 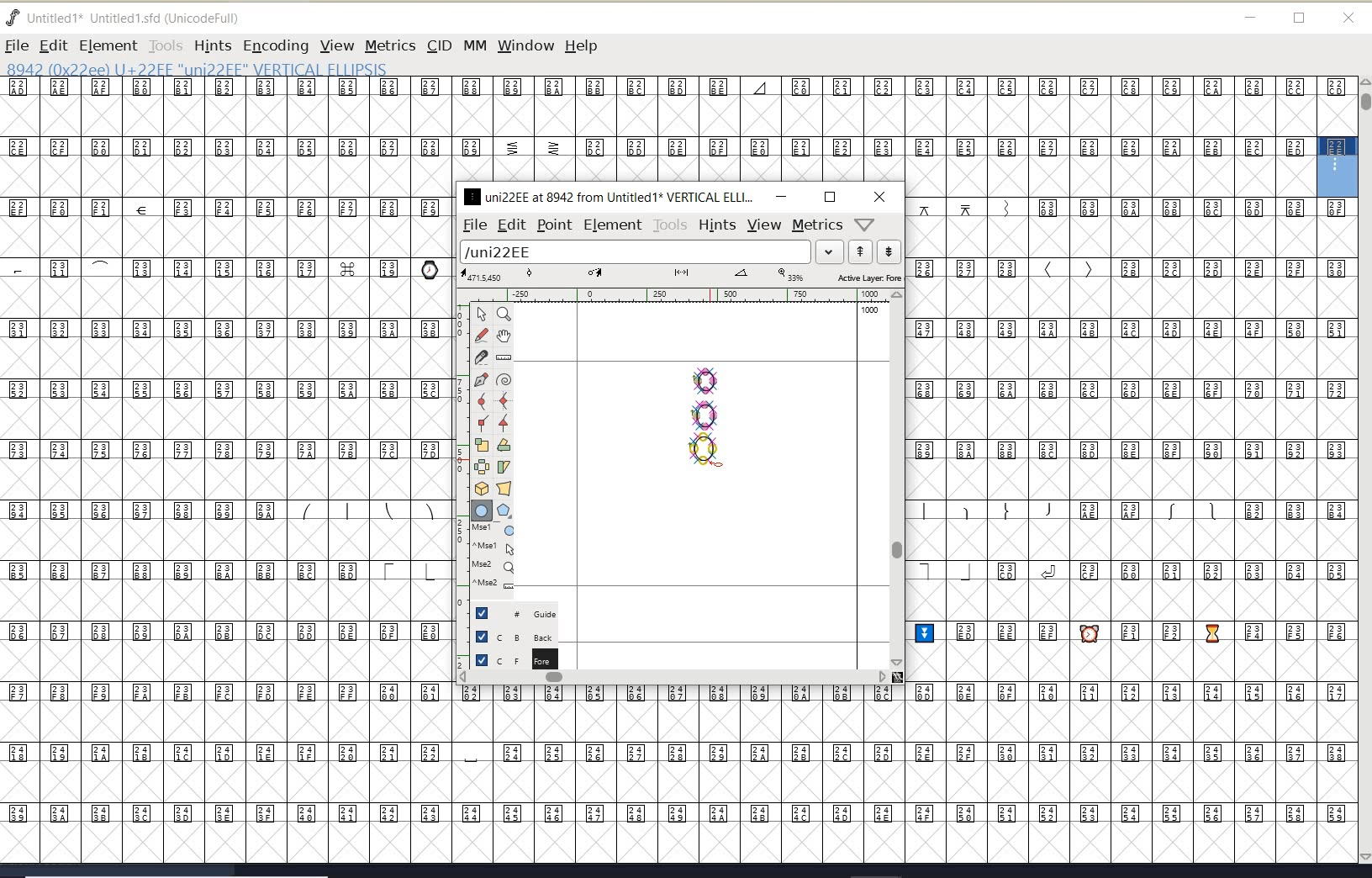 I want to click on SCALE, so click(x=460, y=478).